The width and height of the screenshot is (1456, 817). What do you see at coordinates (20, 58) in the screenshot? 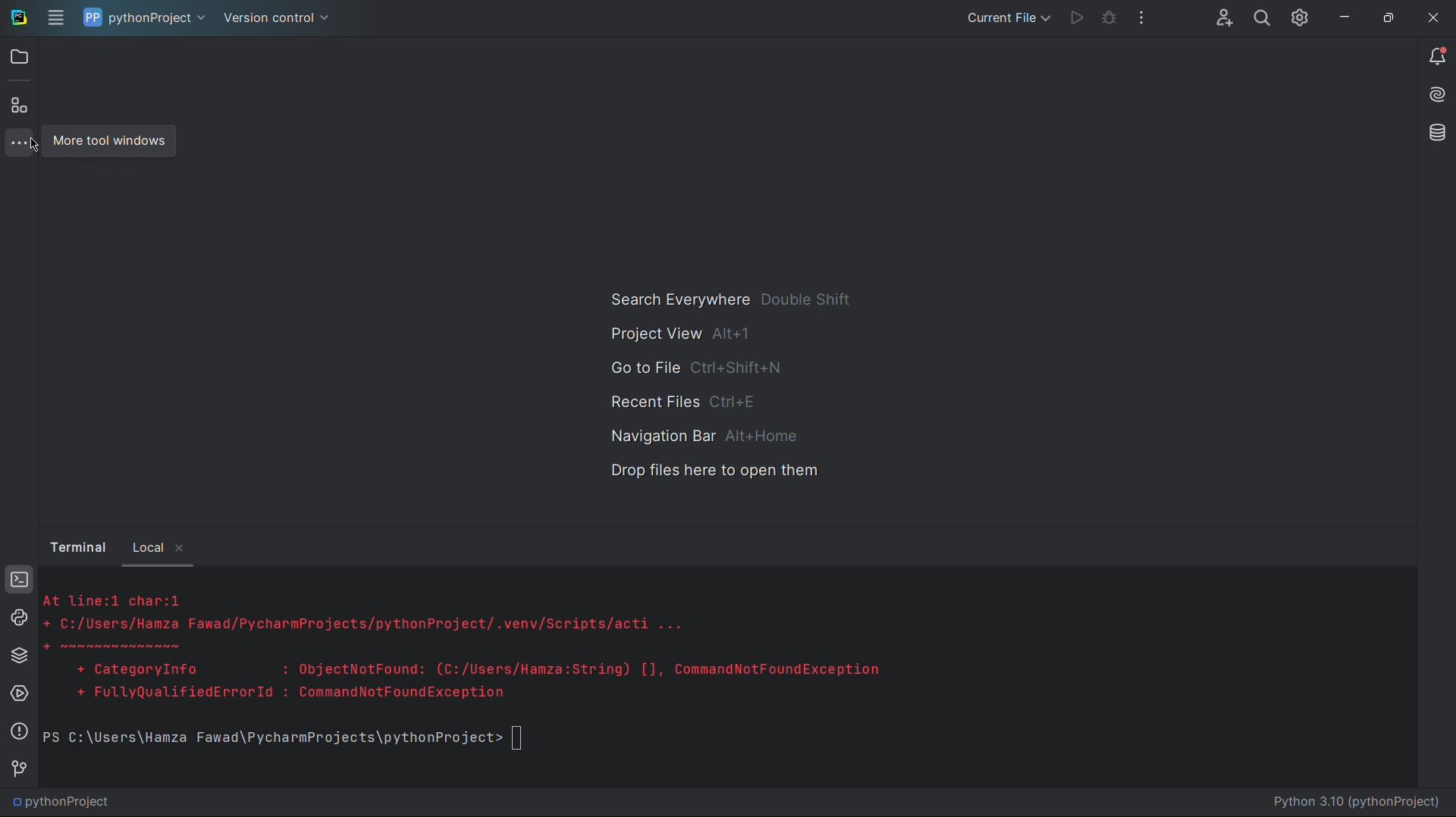
I see `Open` at bounding box center [20, 58].